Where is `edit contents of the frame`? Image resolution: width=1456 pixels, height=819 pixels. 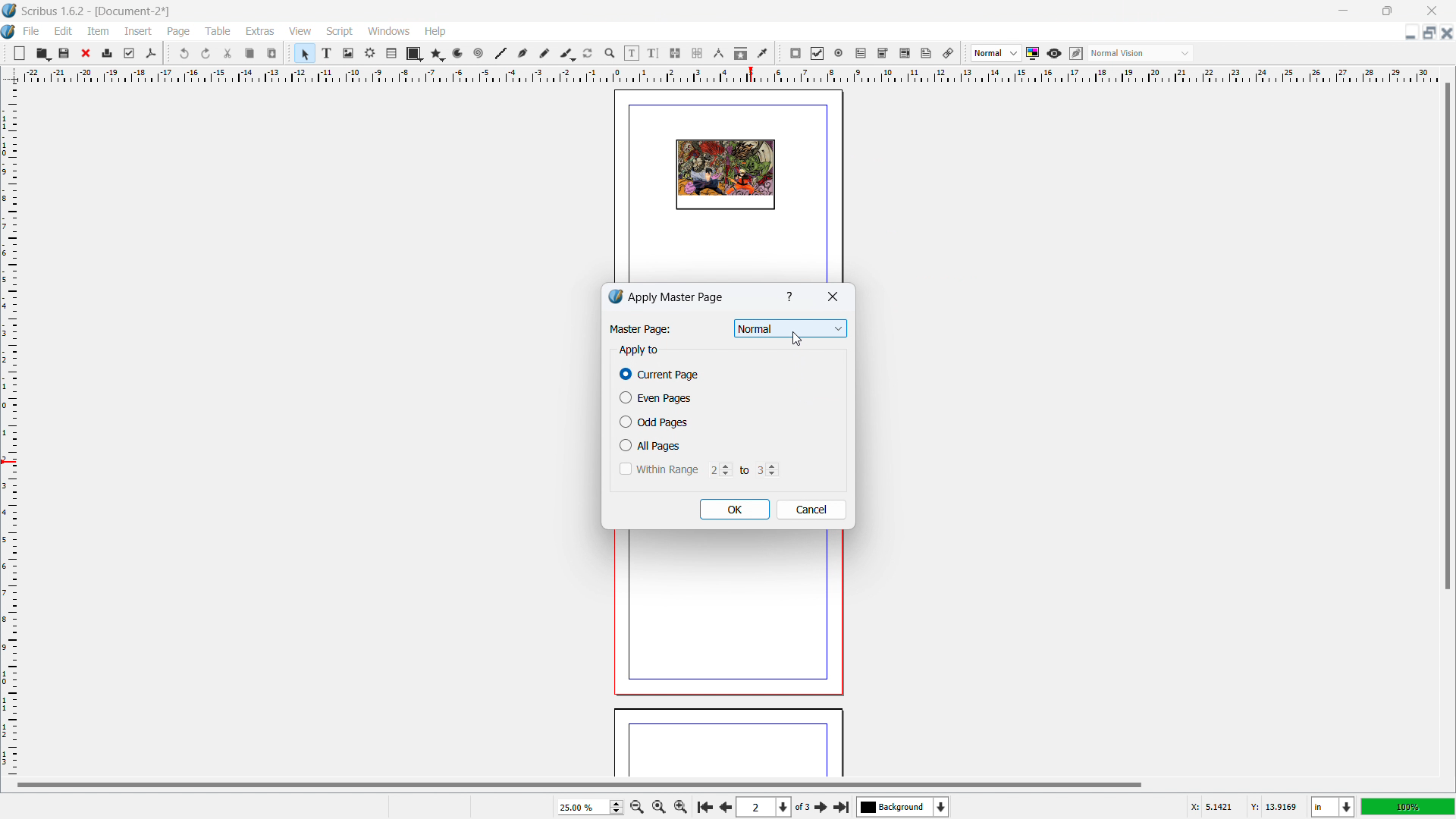 edit contents of the frame is located at coordinates (632, 54).